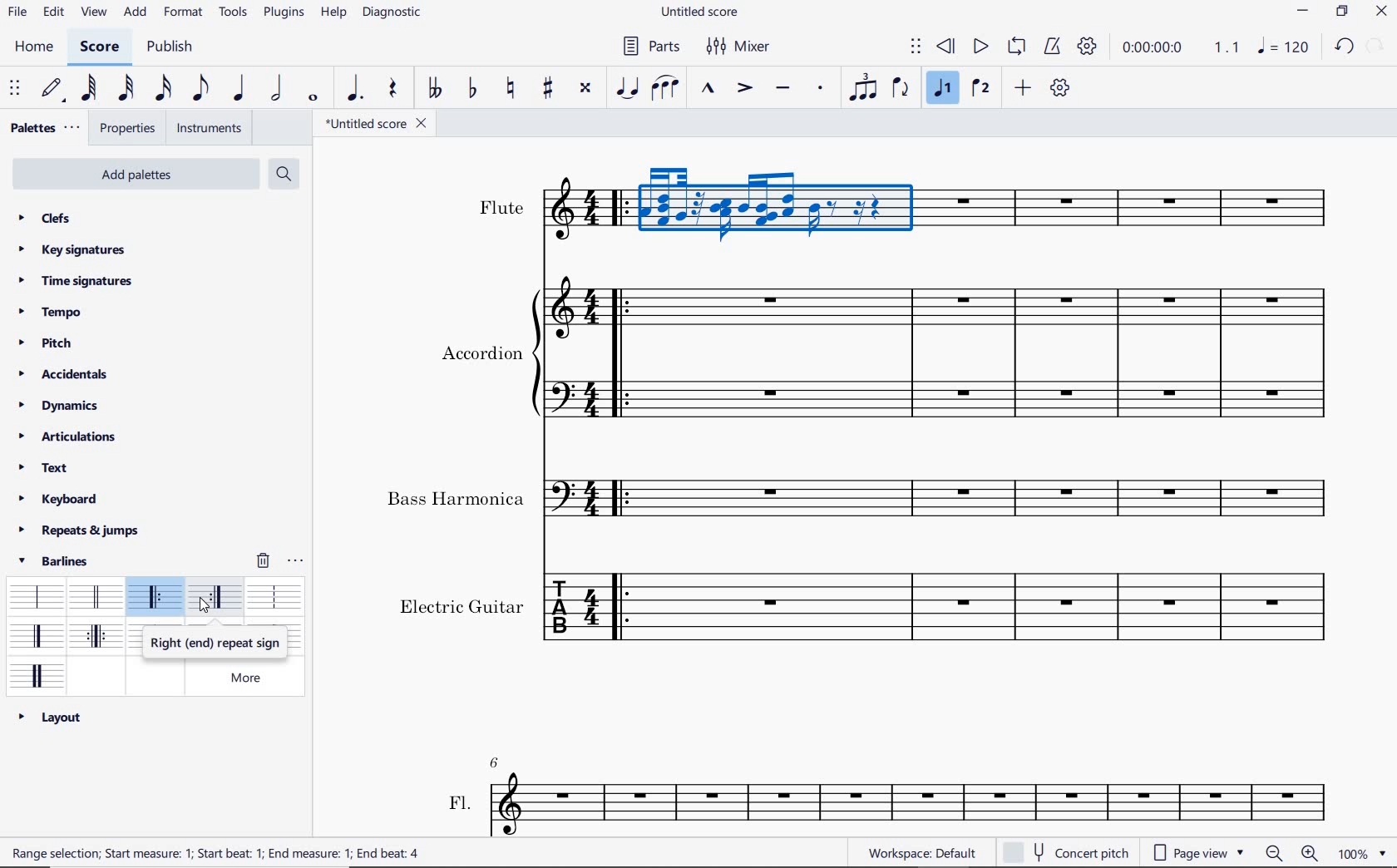 This screenshot has height=868, width=1397. I want to click on select to move, so click(15, 89).